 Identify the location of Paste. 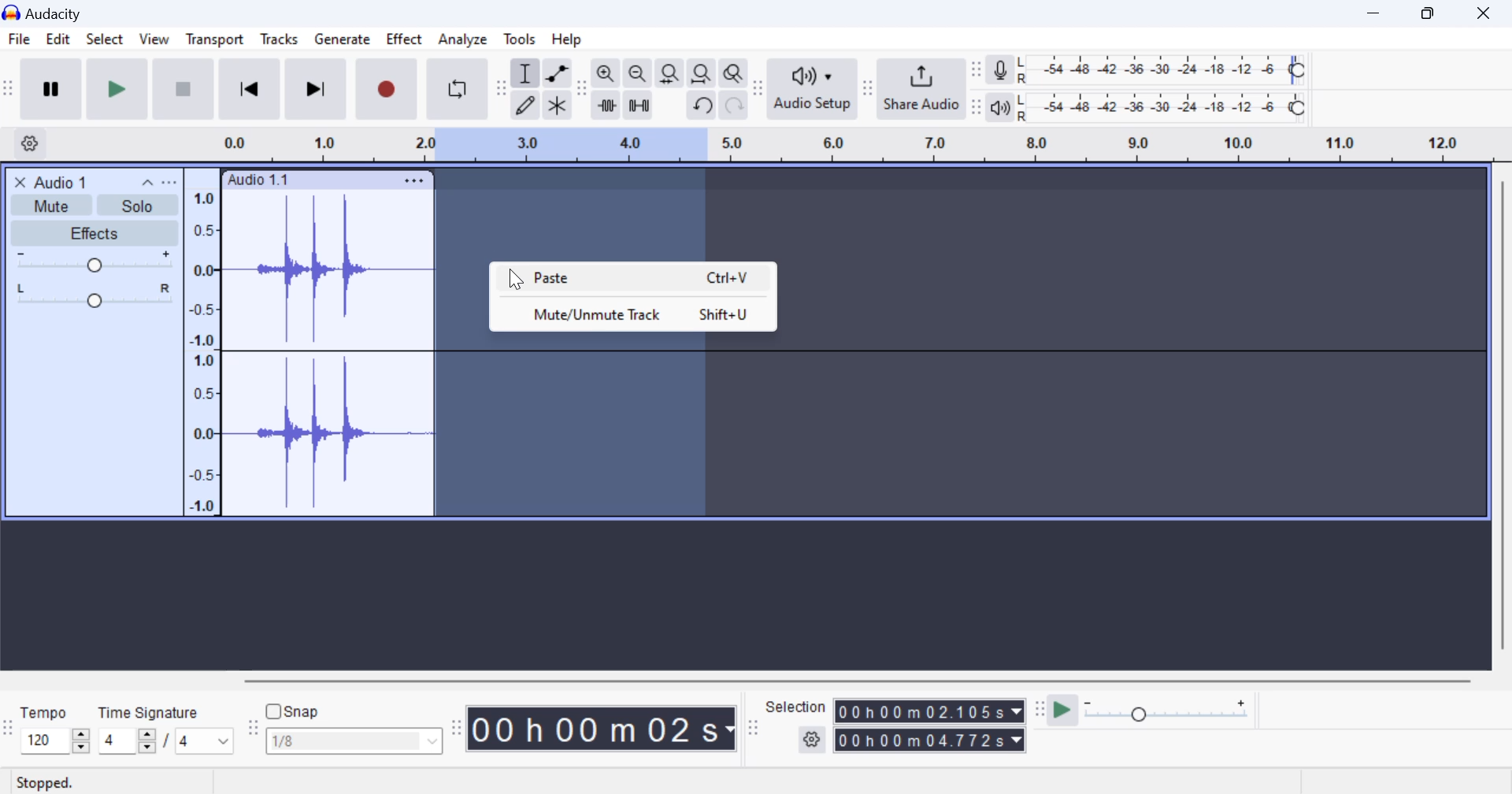
(634, 279).